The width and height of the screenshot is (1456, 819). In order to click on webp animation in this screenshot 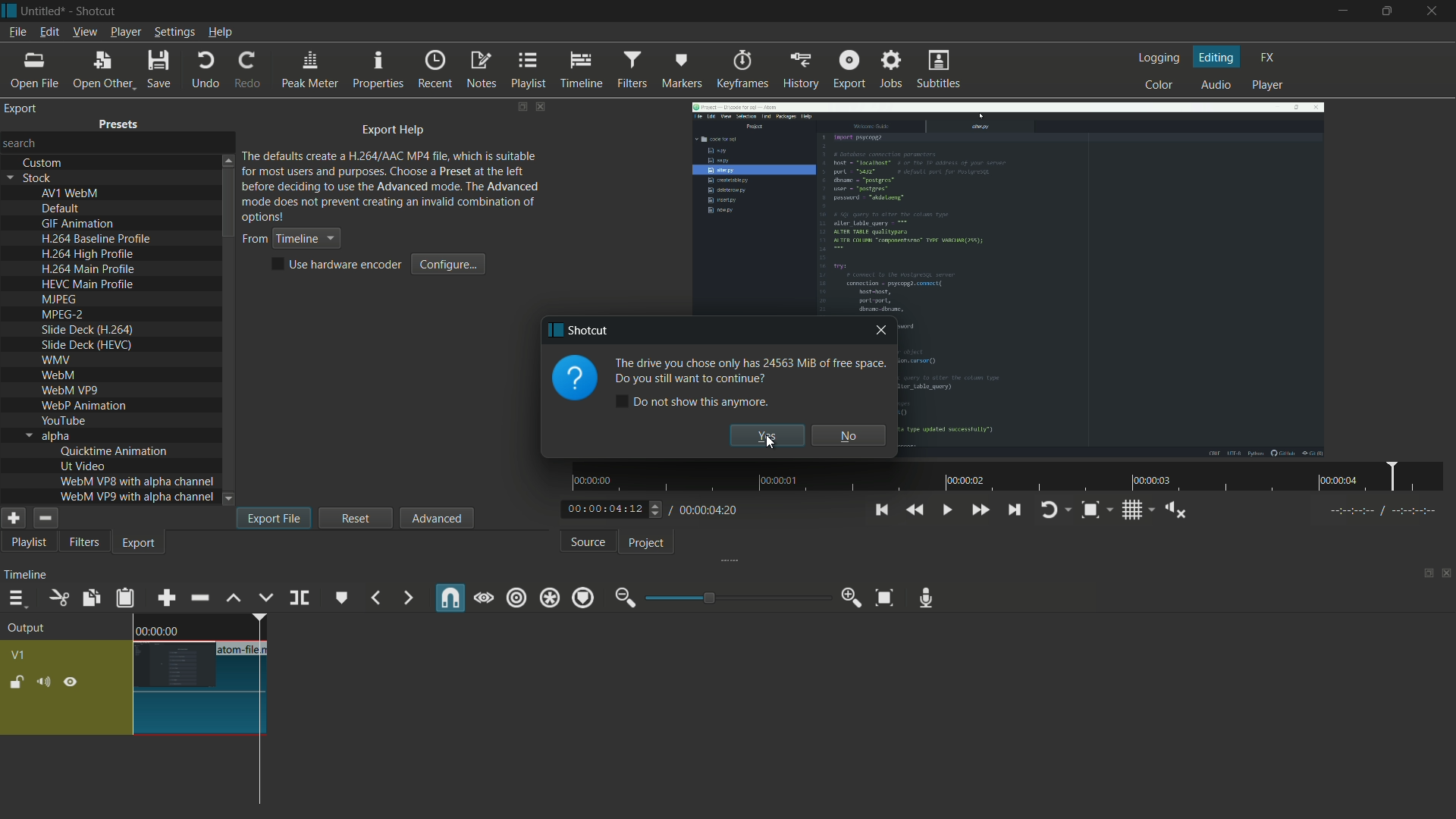, I will do `click(83, 406)`.